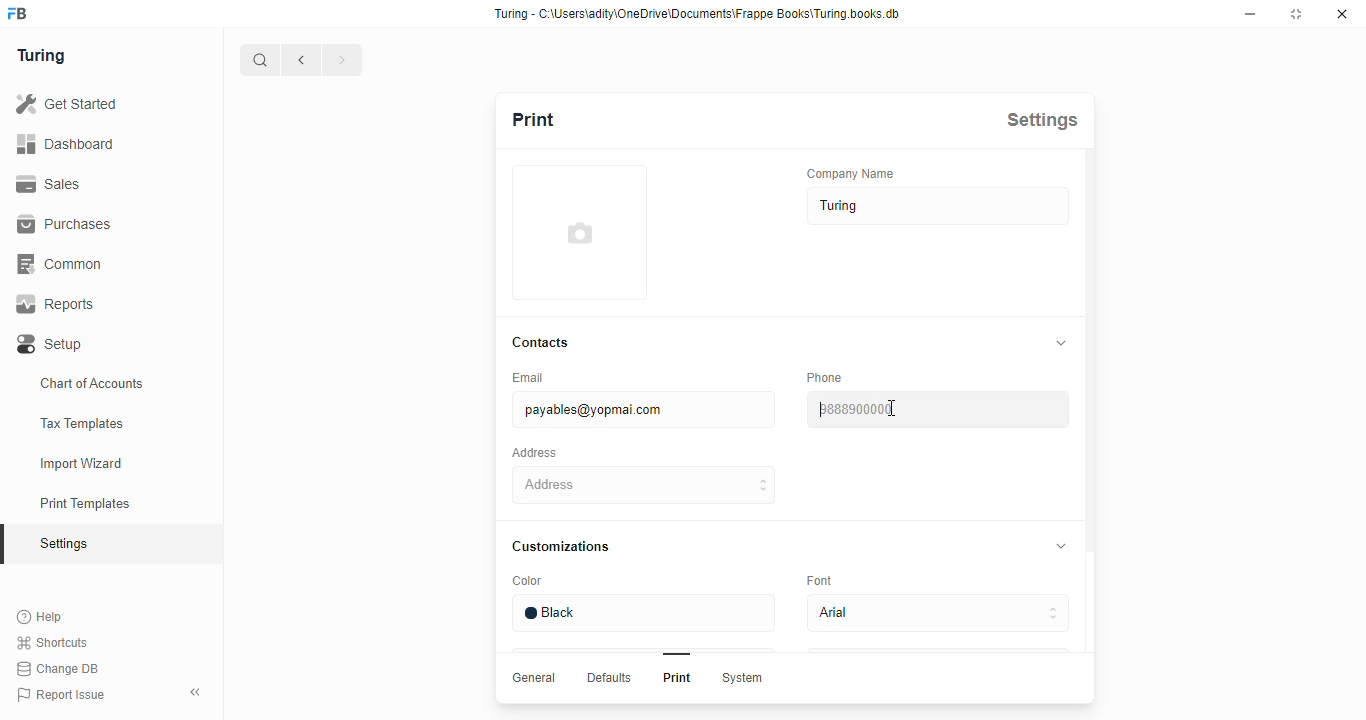 Image resolution: width=1366 pixels, height=720 pixels. What do you see at coordinates (1299, 14) in the screenshot?
I see `maximise` at bounding box center [1299, 14].